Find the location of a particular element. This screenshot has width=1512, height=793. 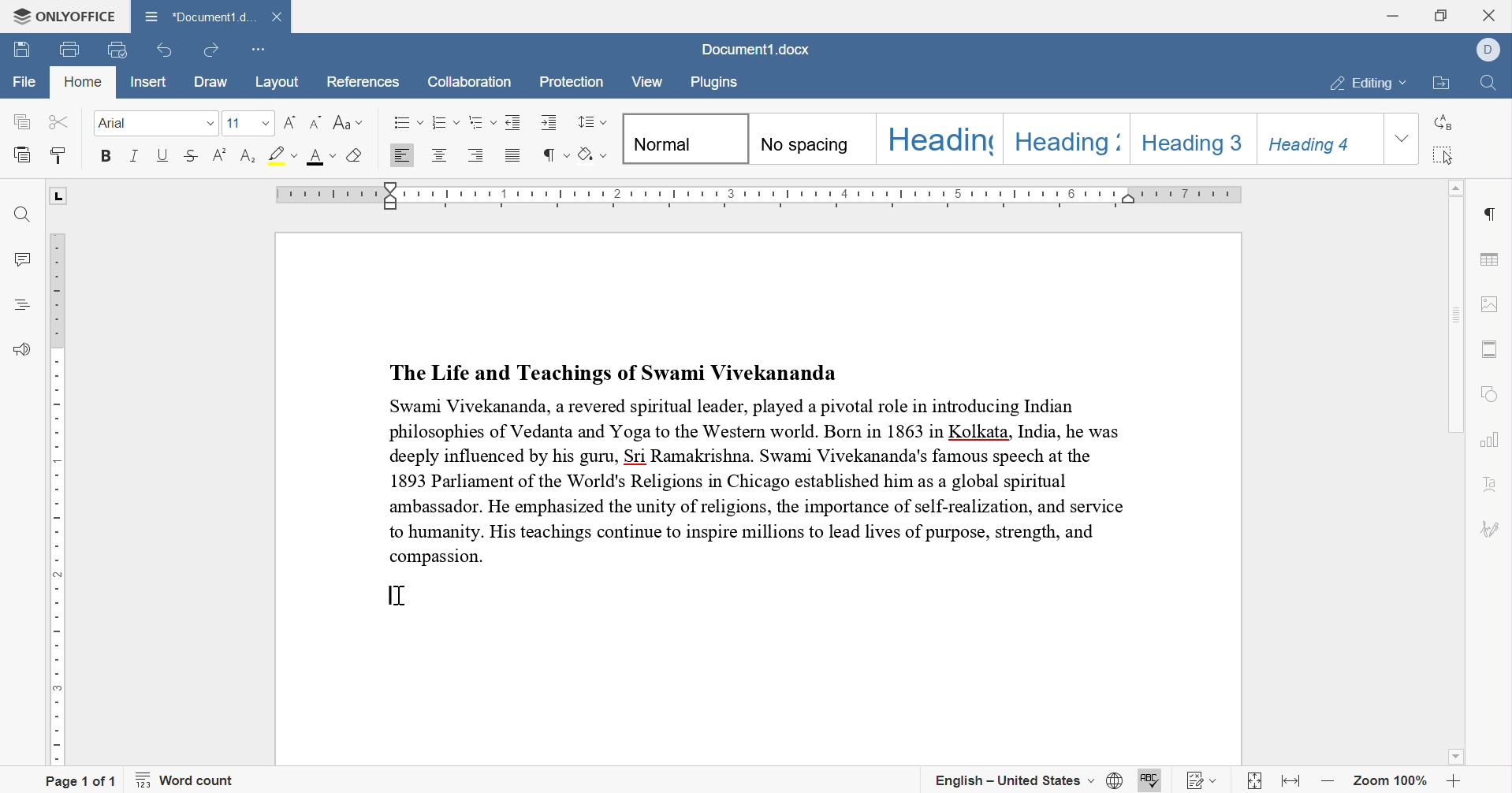

undo is located at coordinates (166, 51).